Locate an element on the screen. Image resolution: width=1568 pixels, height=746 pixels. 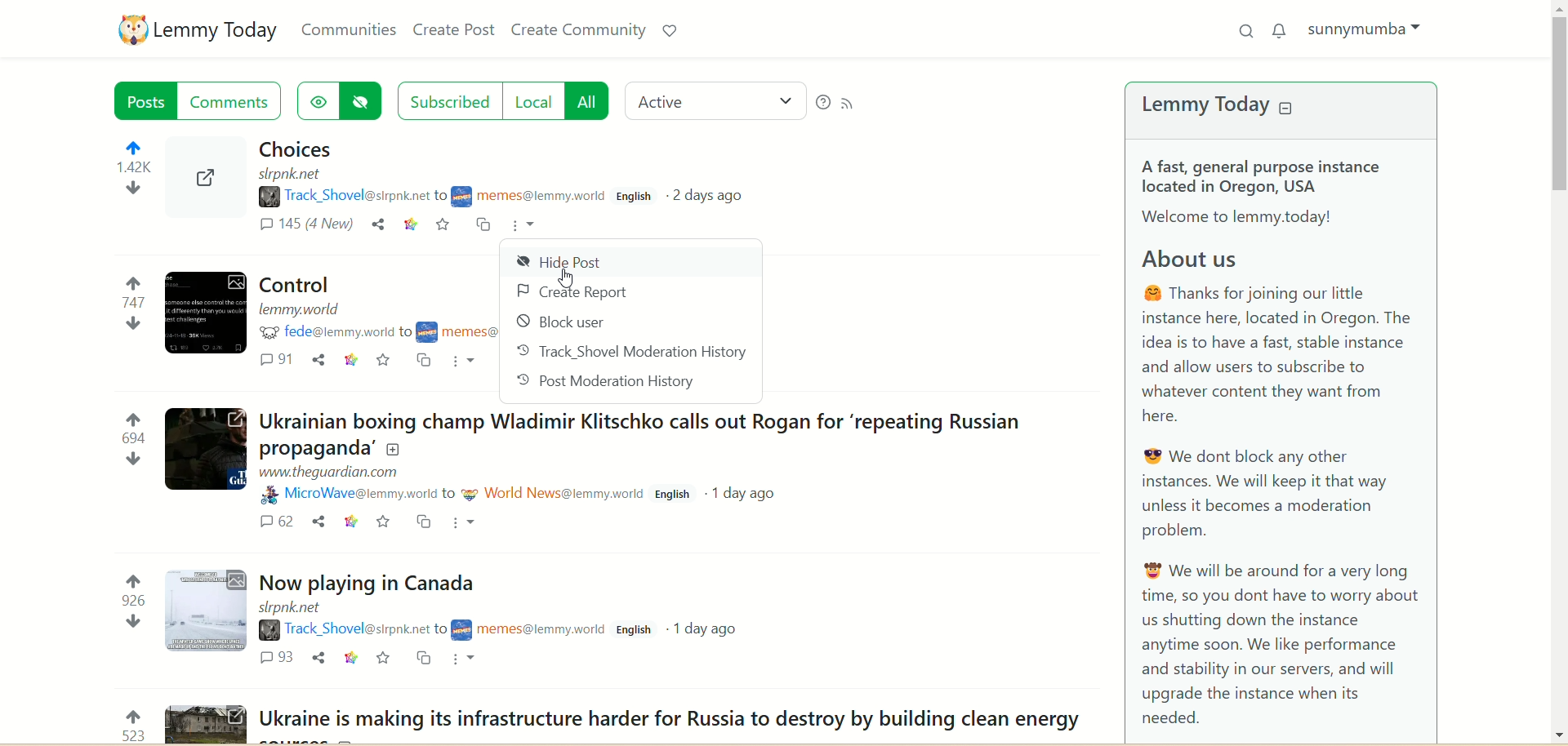
create community is located at coordinates (579, 32).